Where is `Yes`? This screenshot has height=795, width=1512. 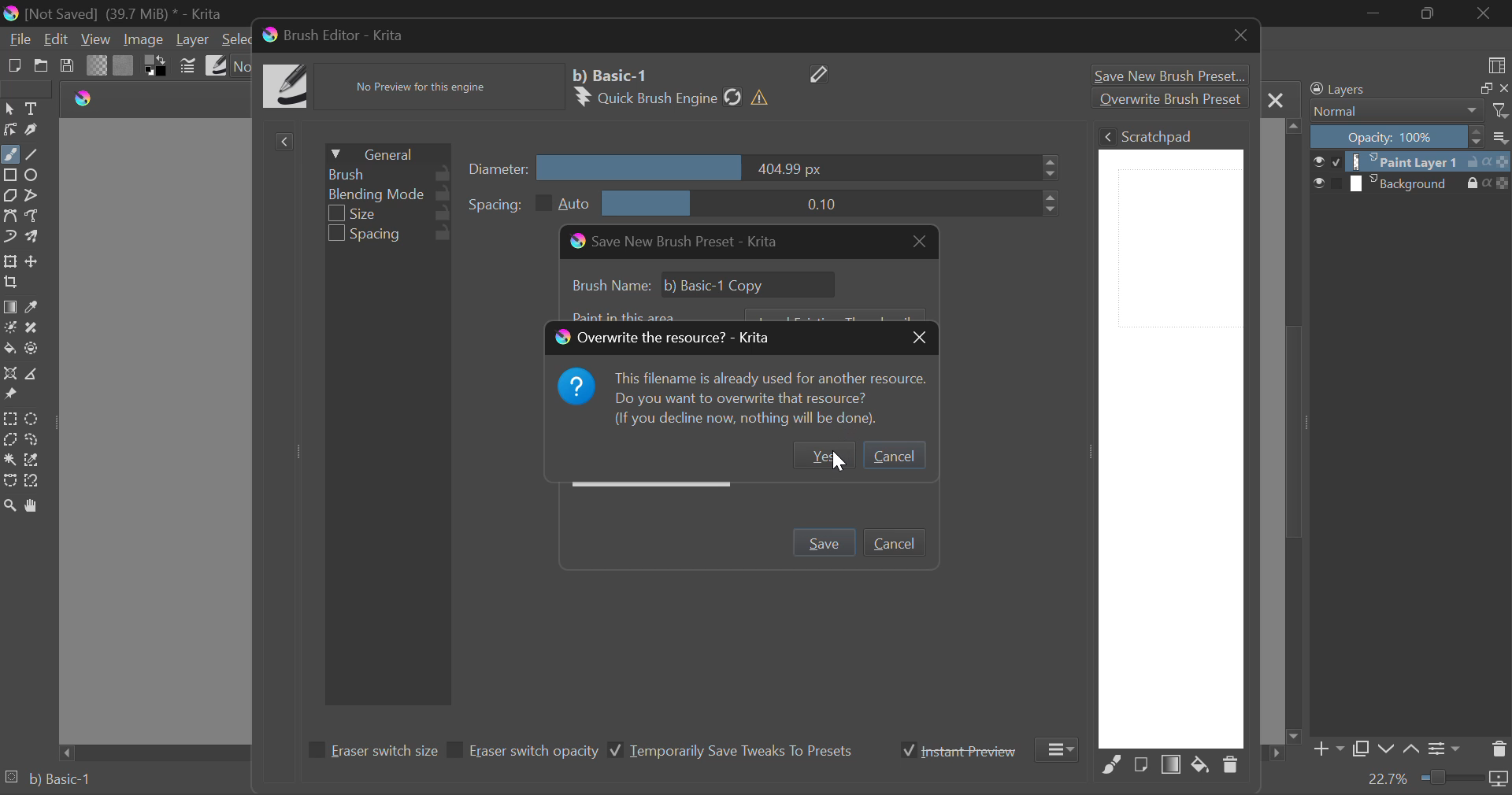
Yes is located at coordinates (822, 456).